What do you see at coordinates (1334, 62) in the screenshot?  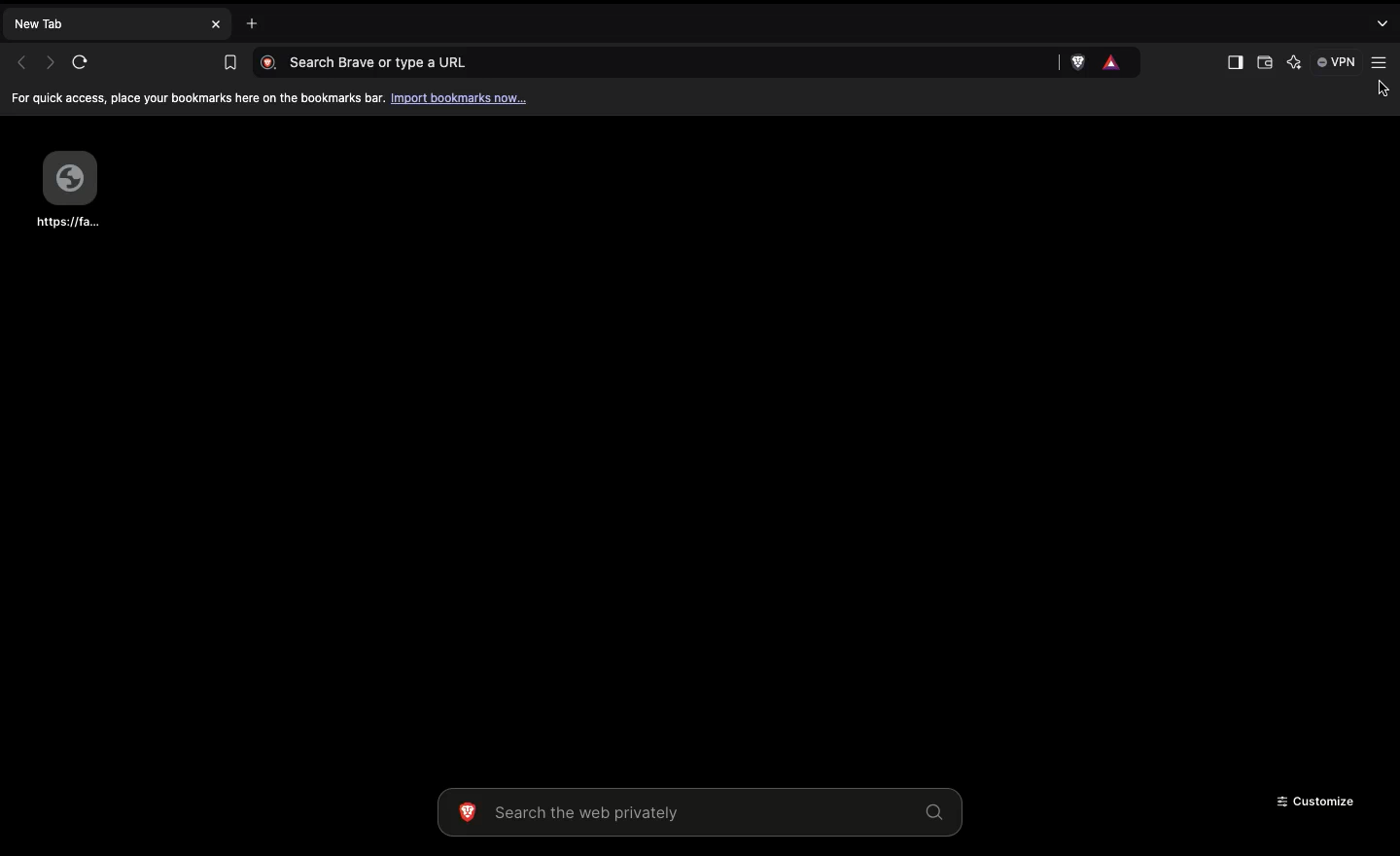 I see `VPN` at bounding box center [1334, 62].